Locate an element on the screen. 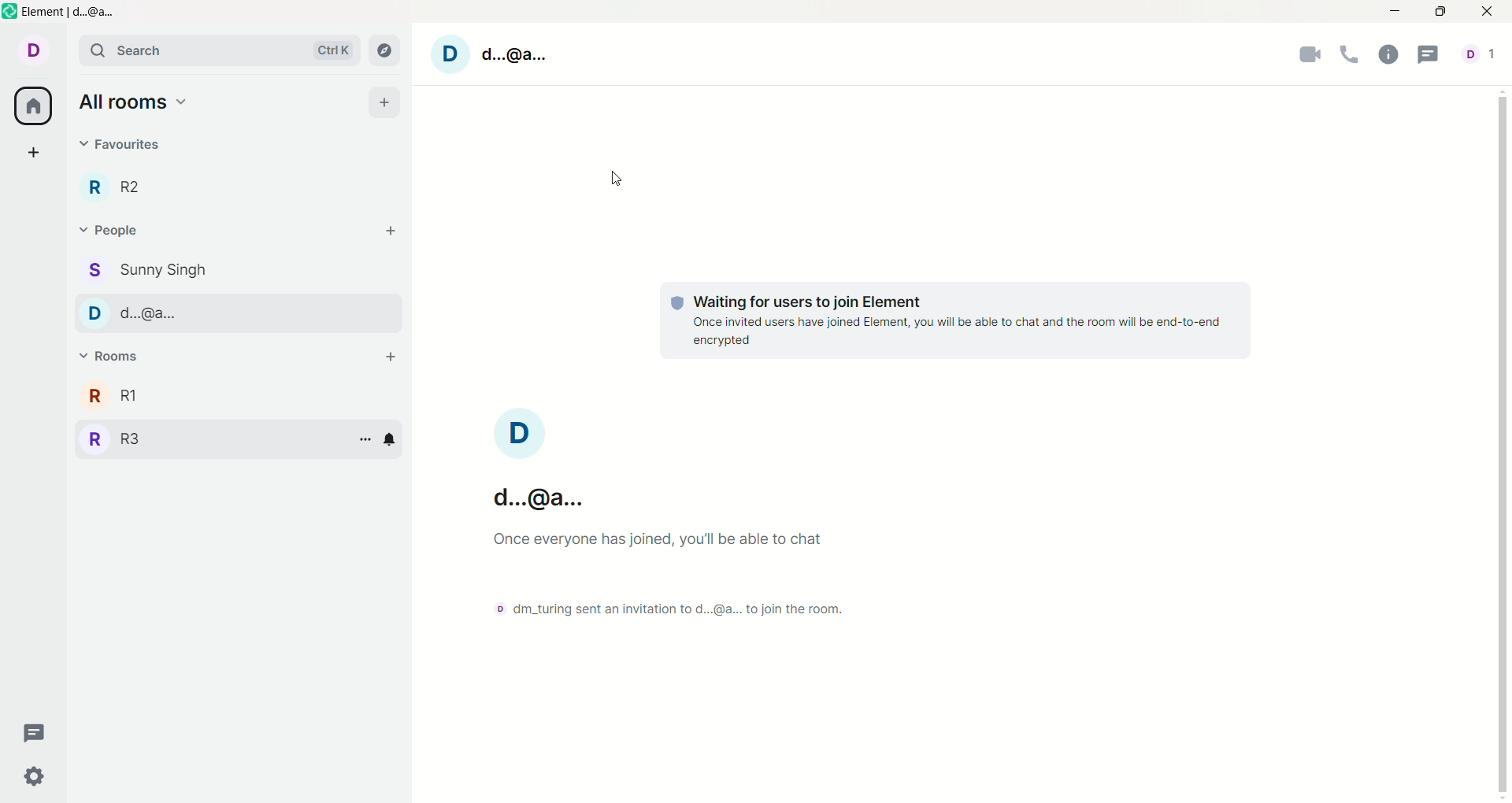 Image resolution: width=1512 pixels, height=803 pixels. people is located at coordinates (111, 229).